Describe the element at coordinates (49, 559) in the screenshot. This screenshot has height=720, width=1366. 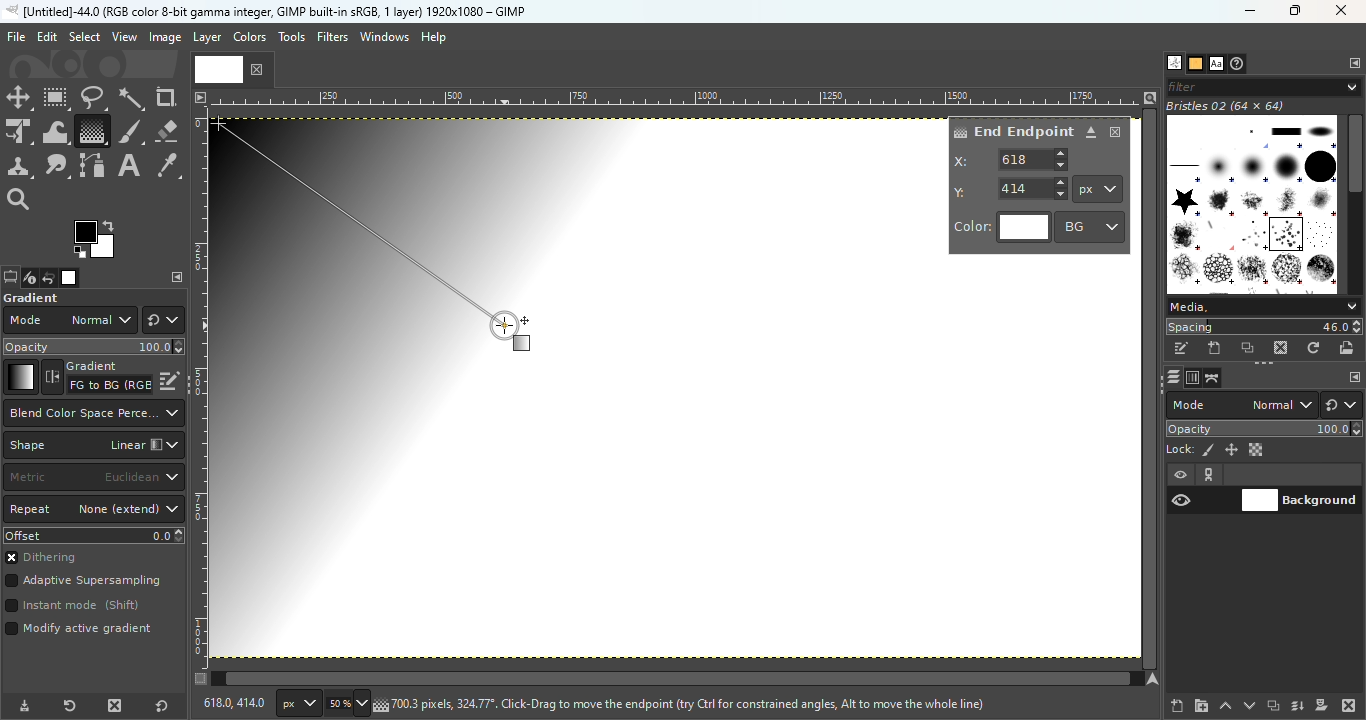
I see `Dithering` at that location.